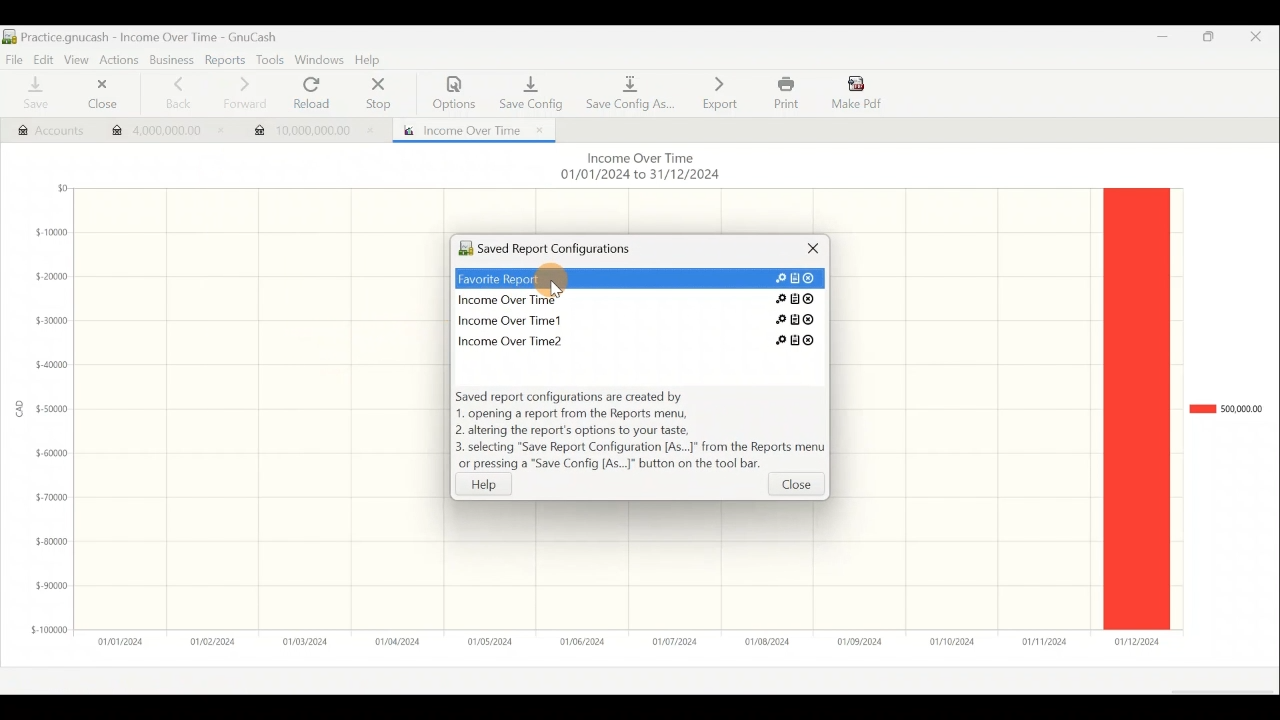  Describe the element at coordinates (1225, 409) in the screenshot. I see `Chart legend` at that location.